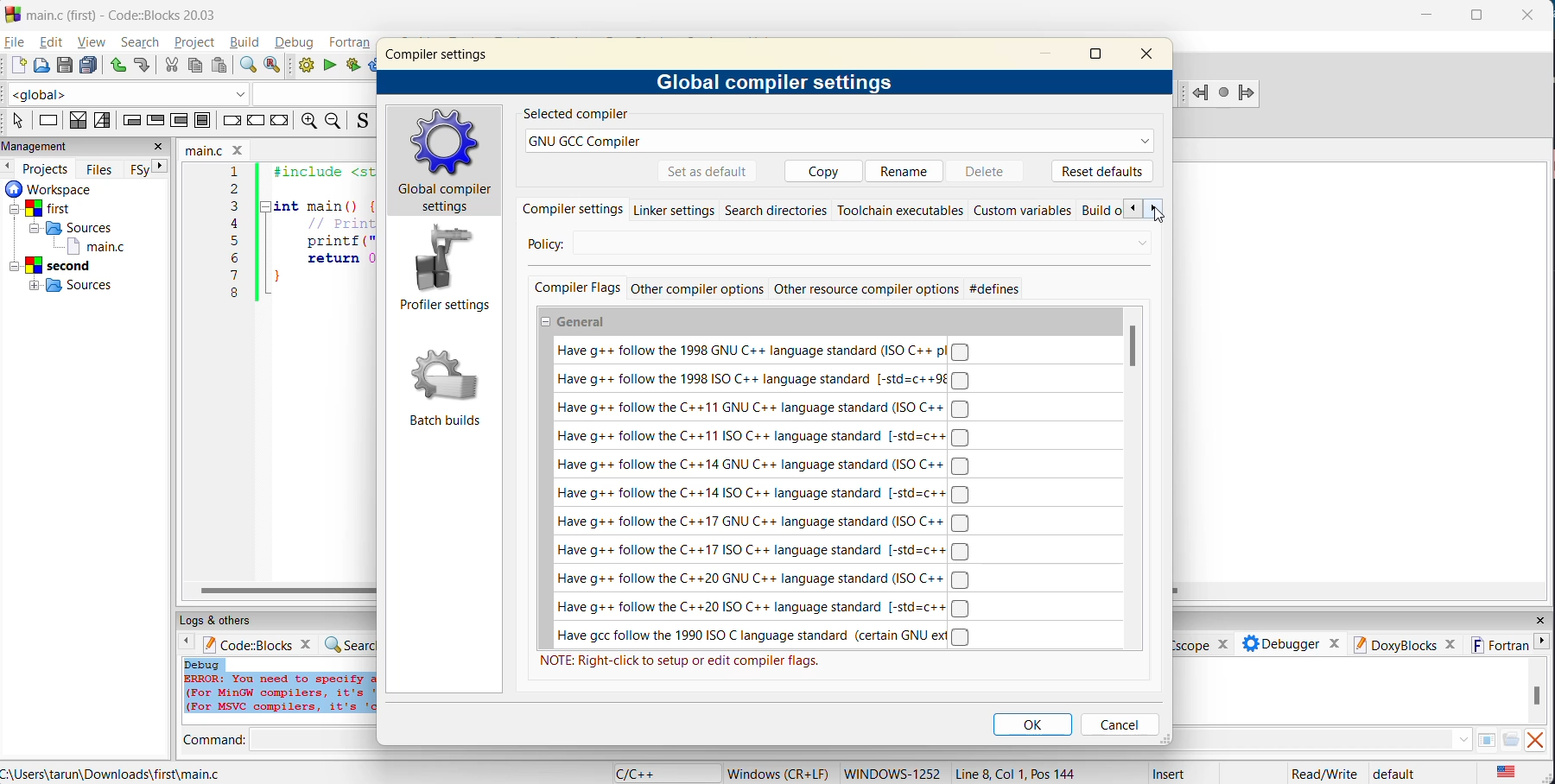 This screenshot has height=784, width=1555. What do you see at coordinates (1222, 93) in the screenshot?
I see `Last jump` at bounding box center [1222, 93].